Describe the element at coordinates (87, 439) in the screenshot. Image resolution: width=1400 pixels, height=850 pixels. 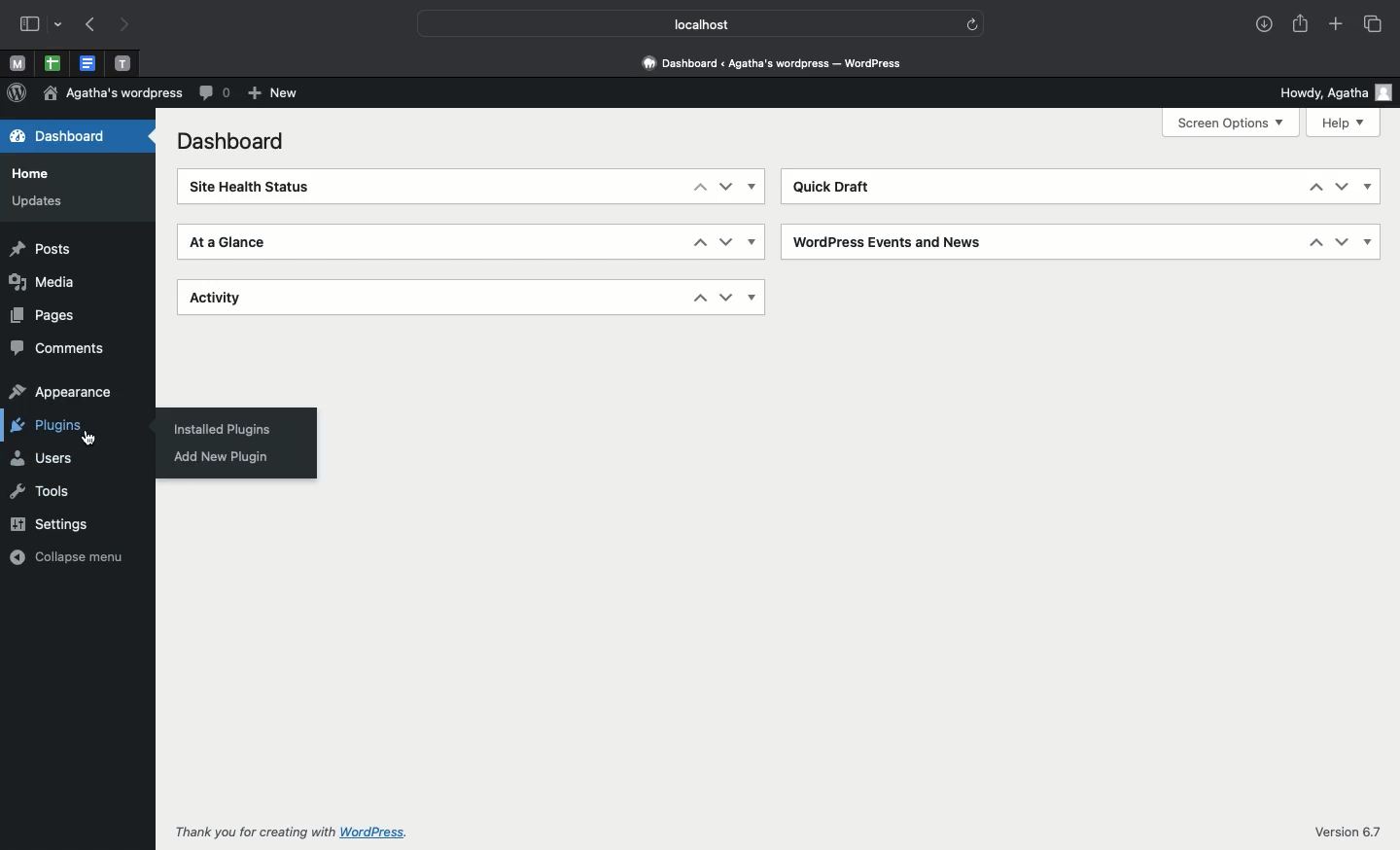
I see `cursor` at that location.